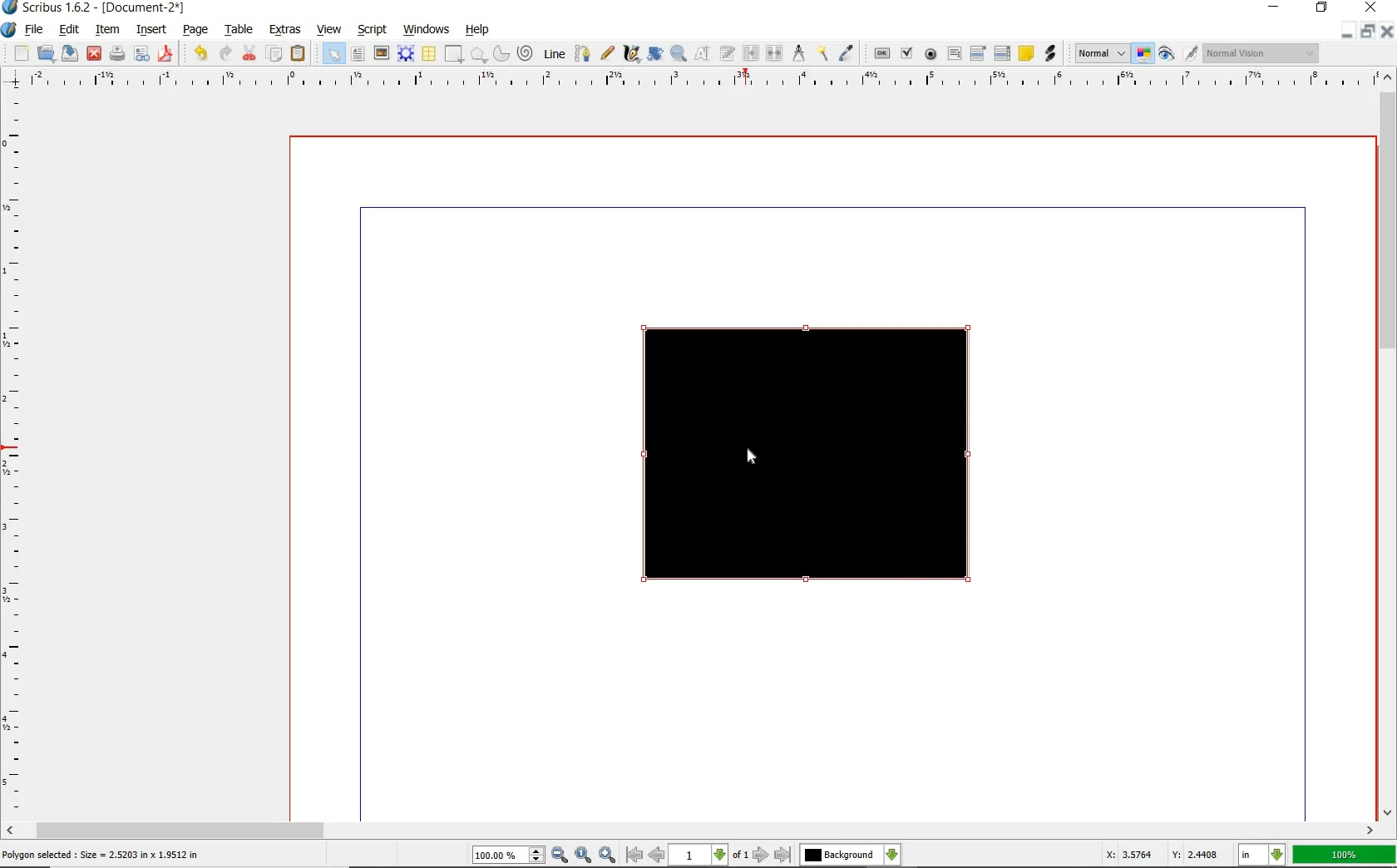 This screenshot has height=868, width=1397. Describe the element at coordinates (142, 54) in the screenshot. I see `preflight verifier` at that location.